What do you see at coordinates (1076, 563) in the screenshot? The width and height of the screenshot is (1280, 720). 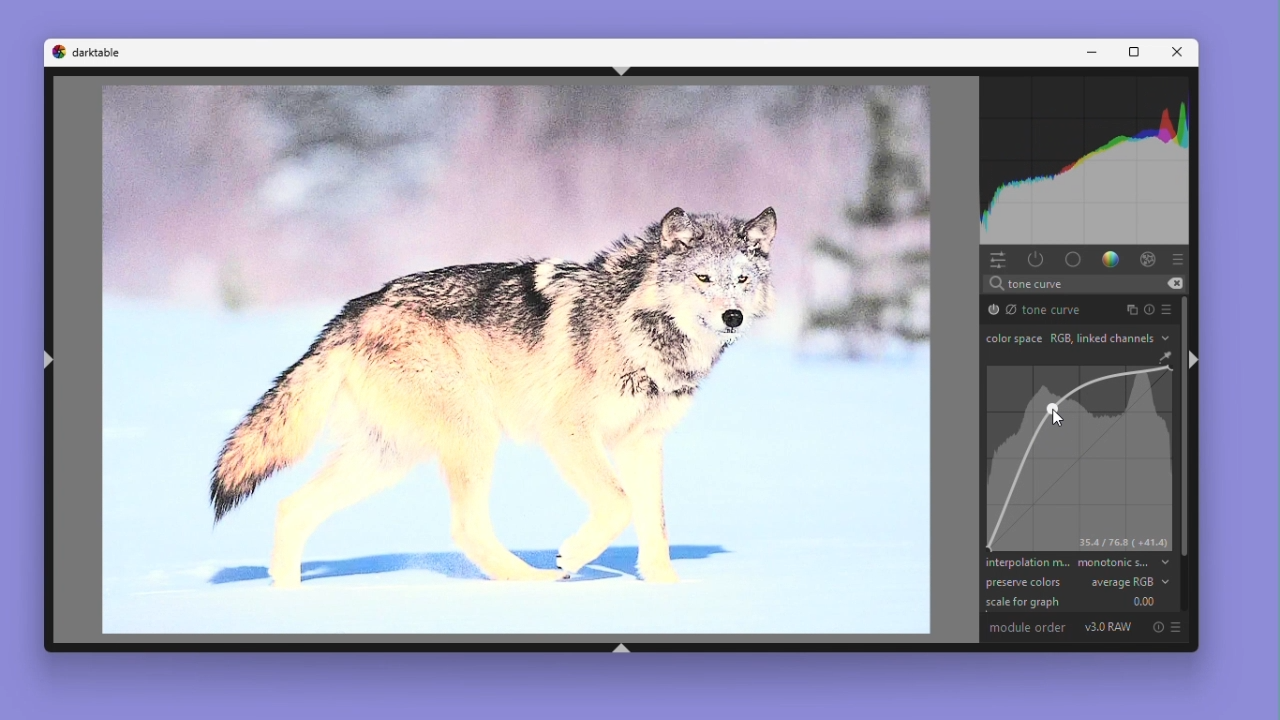 I see `Interpolation method` at bounding box center [1076, 563].